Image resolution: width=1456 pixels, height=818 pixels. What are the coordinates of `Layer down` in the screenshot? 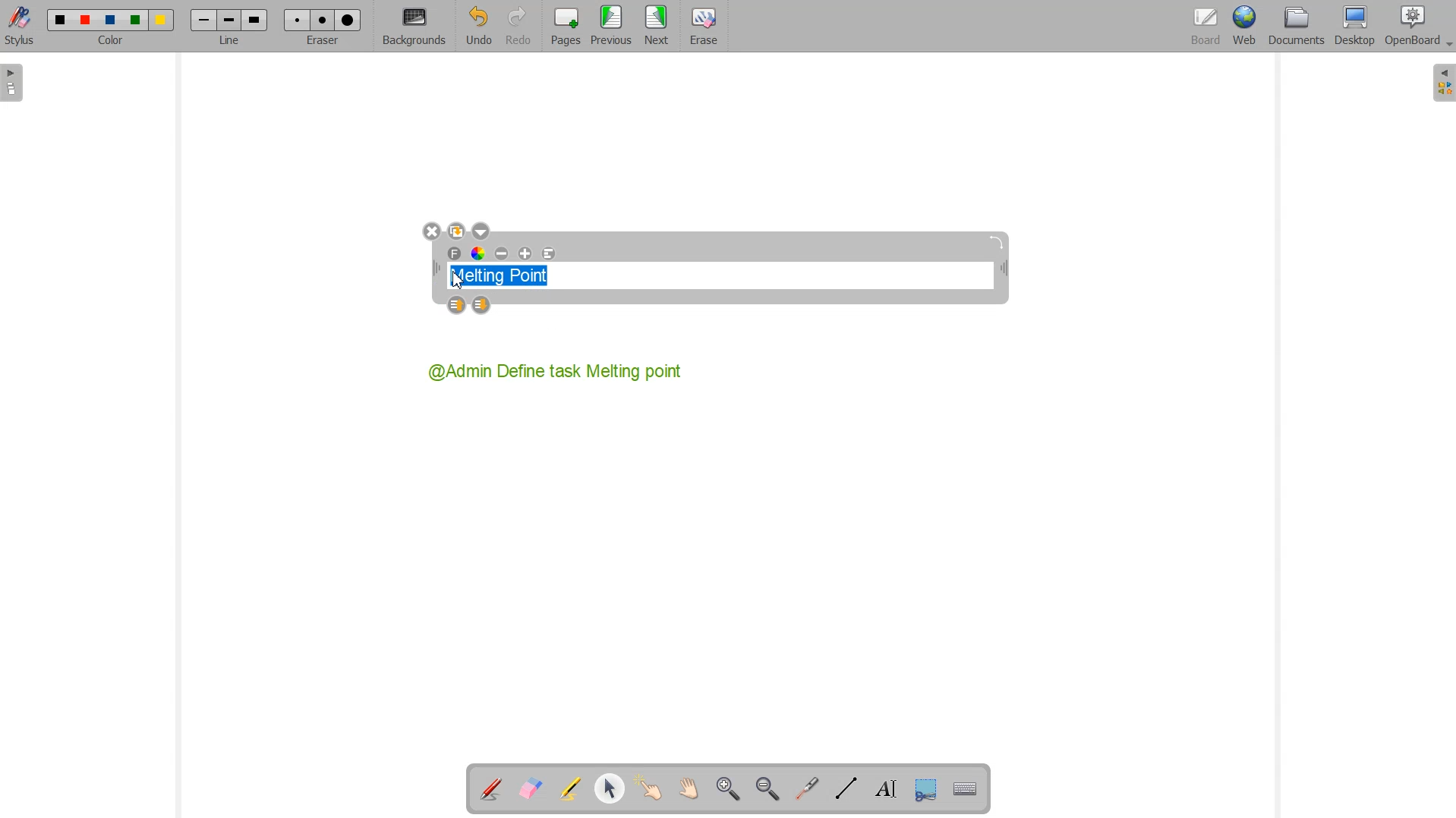 It's located at (482, 306).